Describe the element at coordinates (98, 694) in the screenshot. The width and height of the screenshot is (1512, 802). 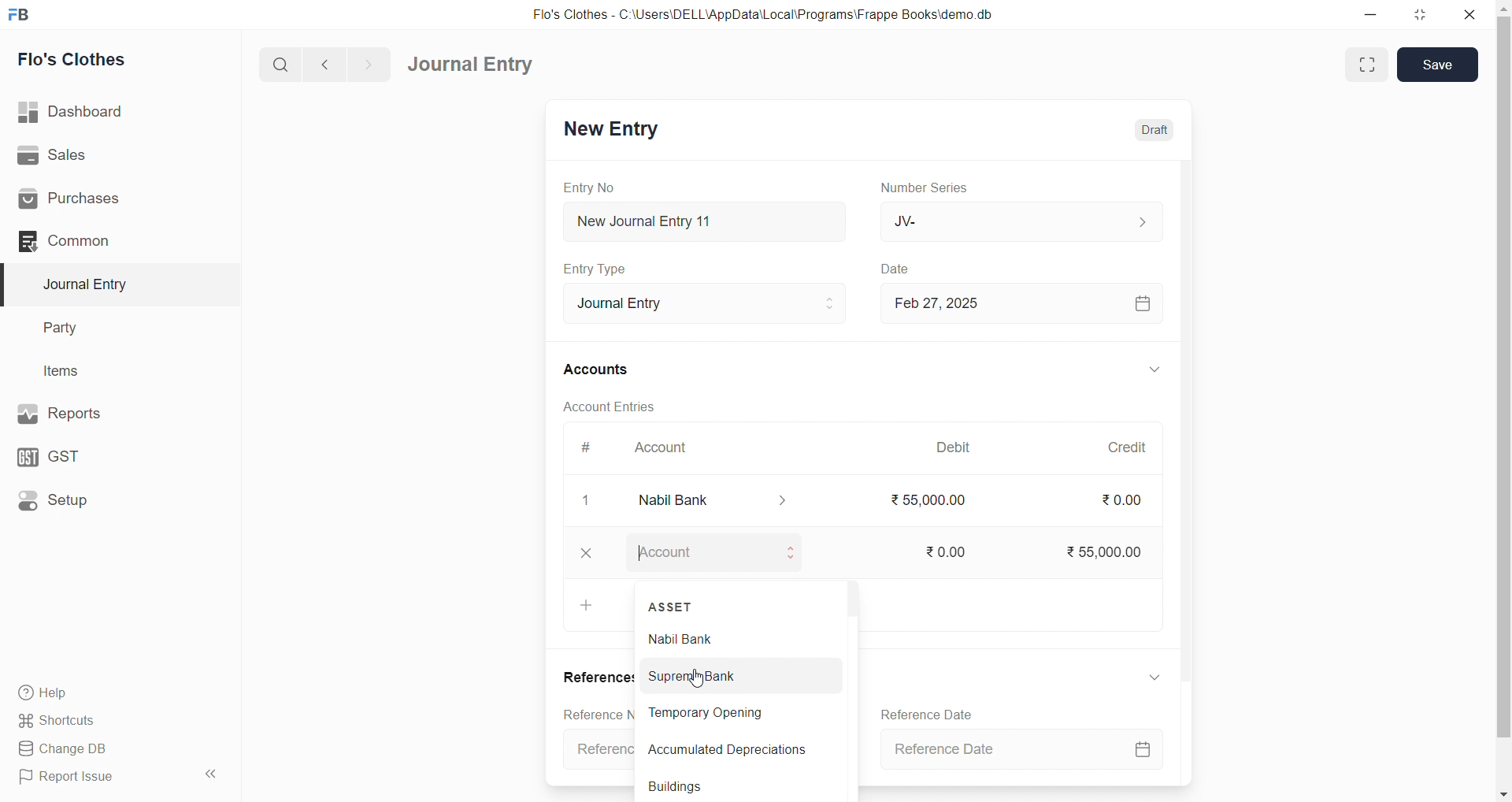
I see `Help` at that location.